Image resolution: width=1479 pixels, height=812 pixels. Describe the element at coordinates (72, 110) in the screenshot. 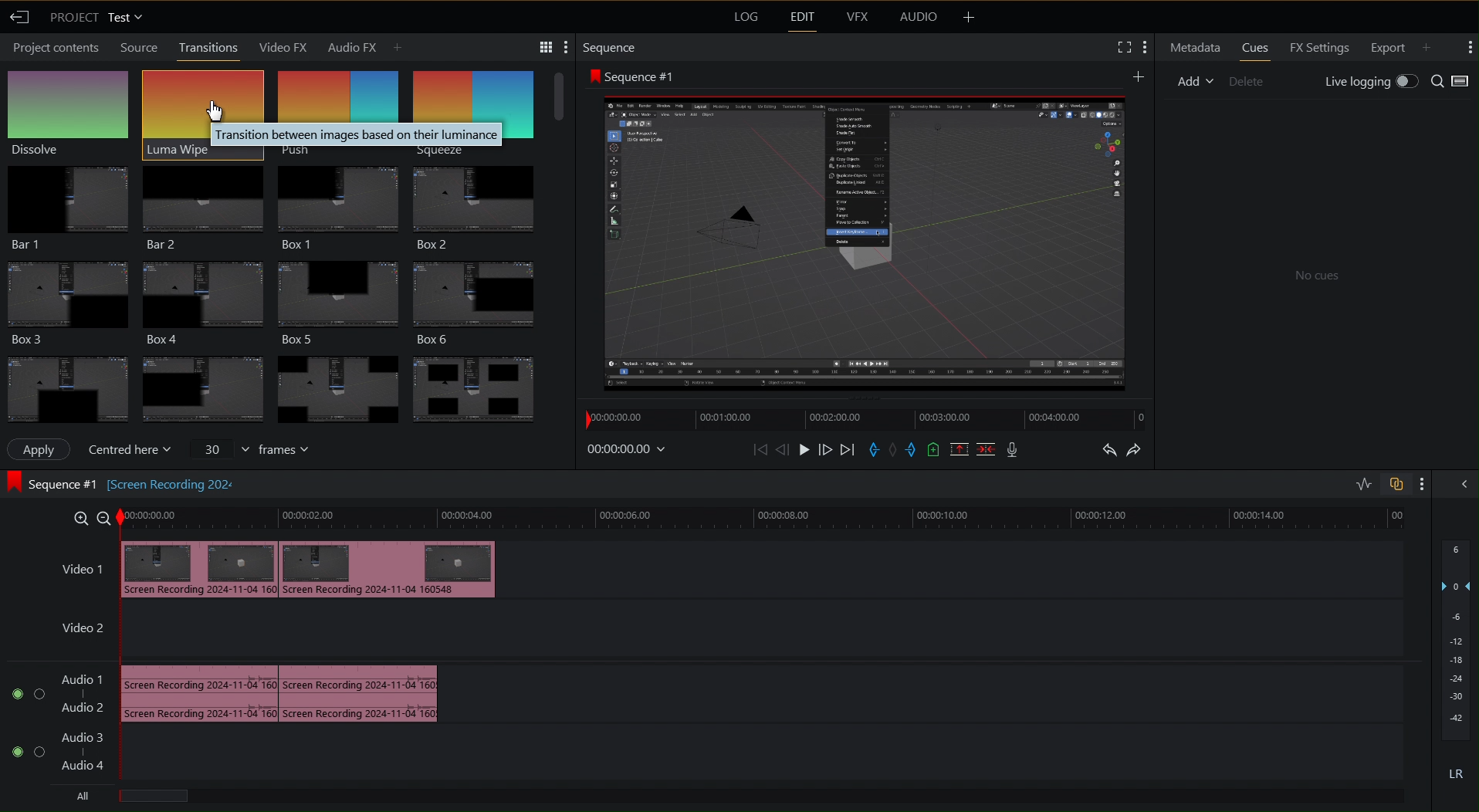

I see `Dissolve` at that location.